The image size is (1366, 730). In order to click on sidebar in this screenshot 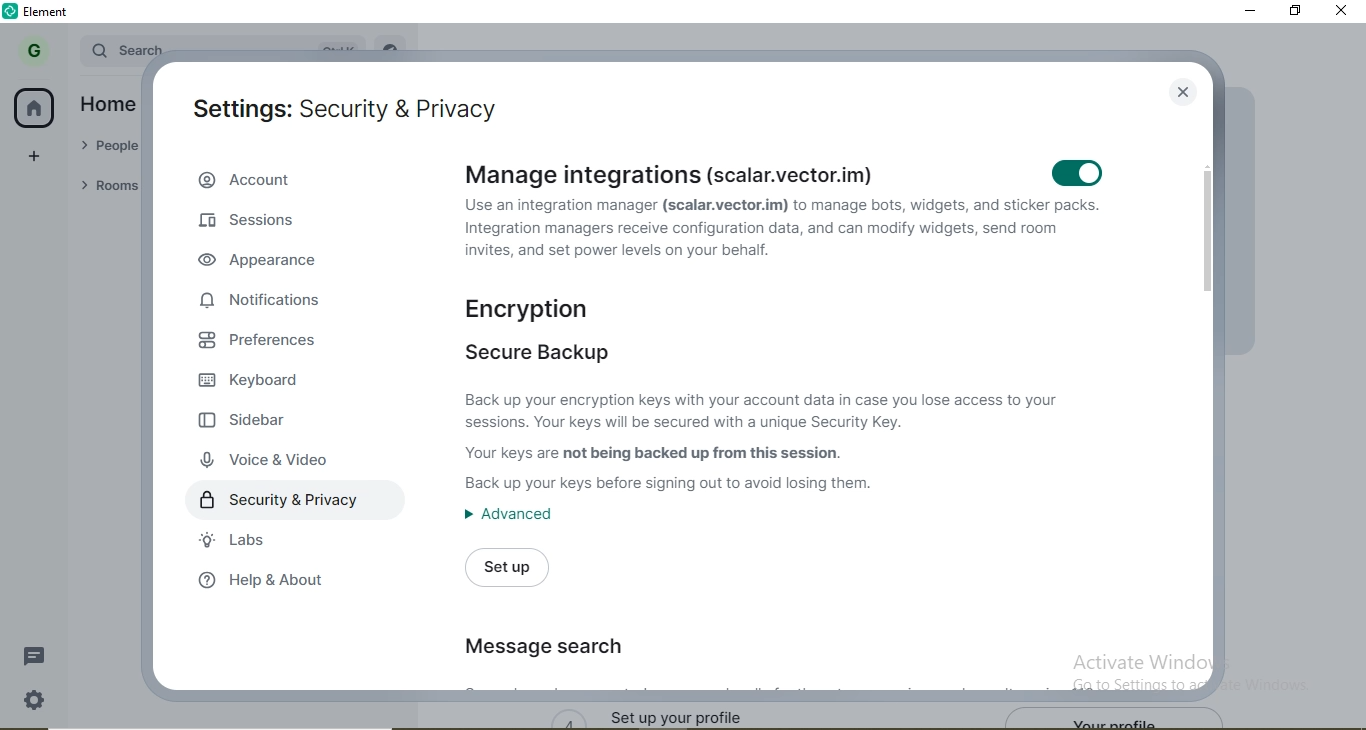, I will do `click(259, 426)`.